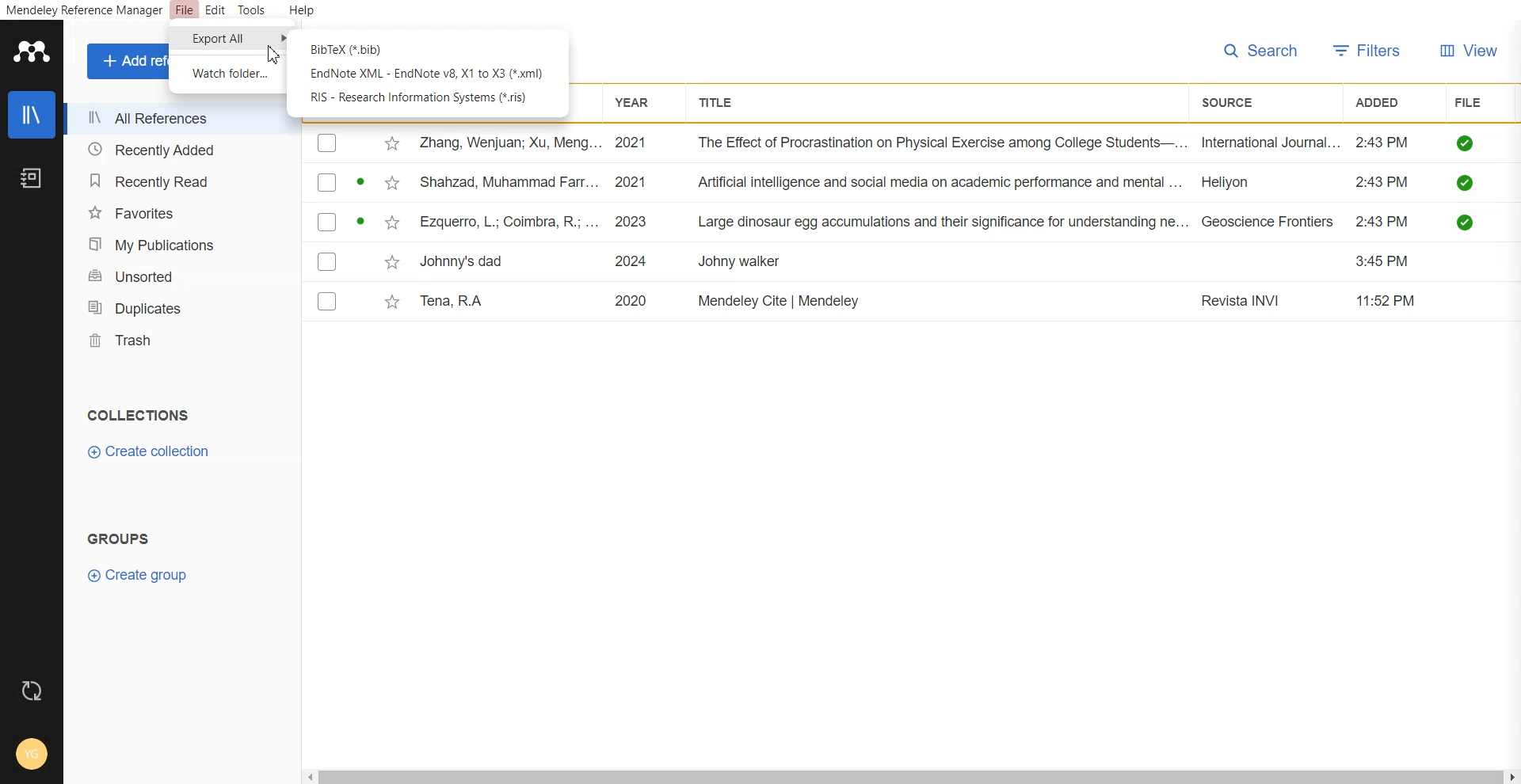 This screenshot has width=1521, height=784. I want to click on cursor, so click(278, 55).